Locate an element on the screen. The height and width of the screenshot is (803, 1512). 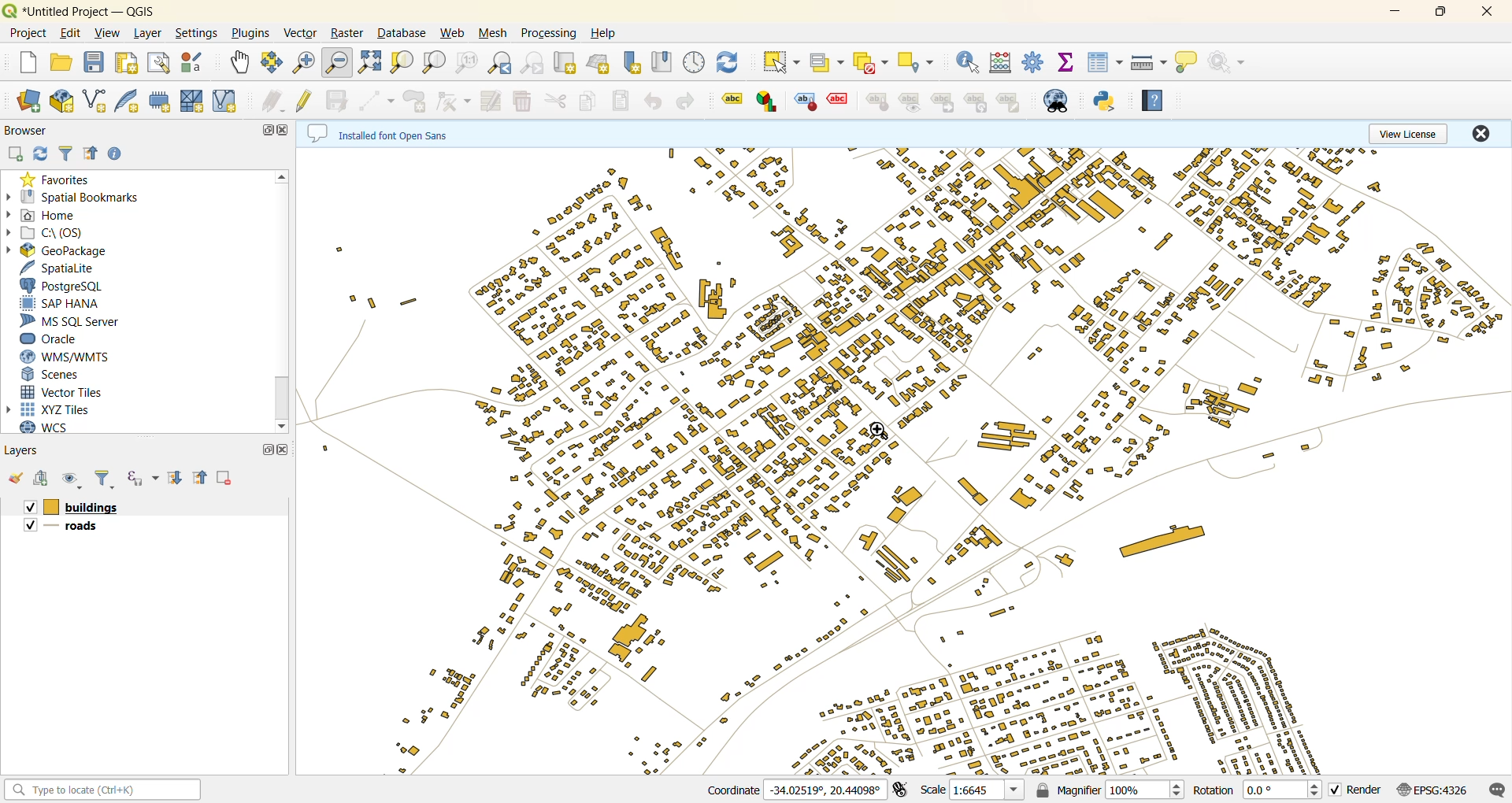
Metadata is located at coordinates (319, 130).